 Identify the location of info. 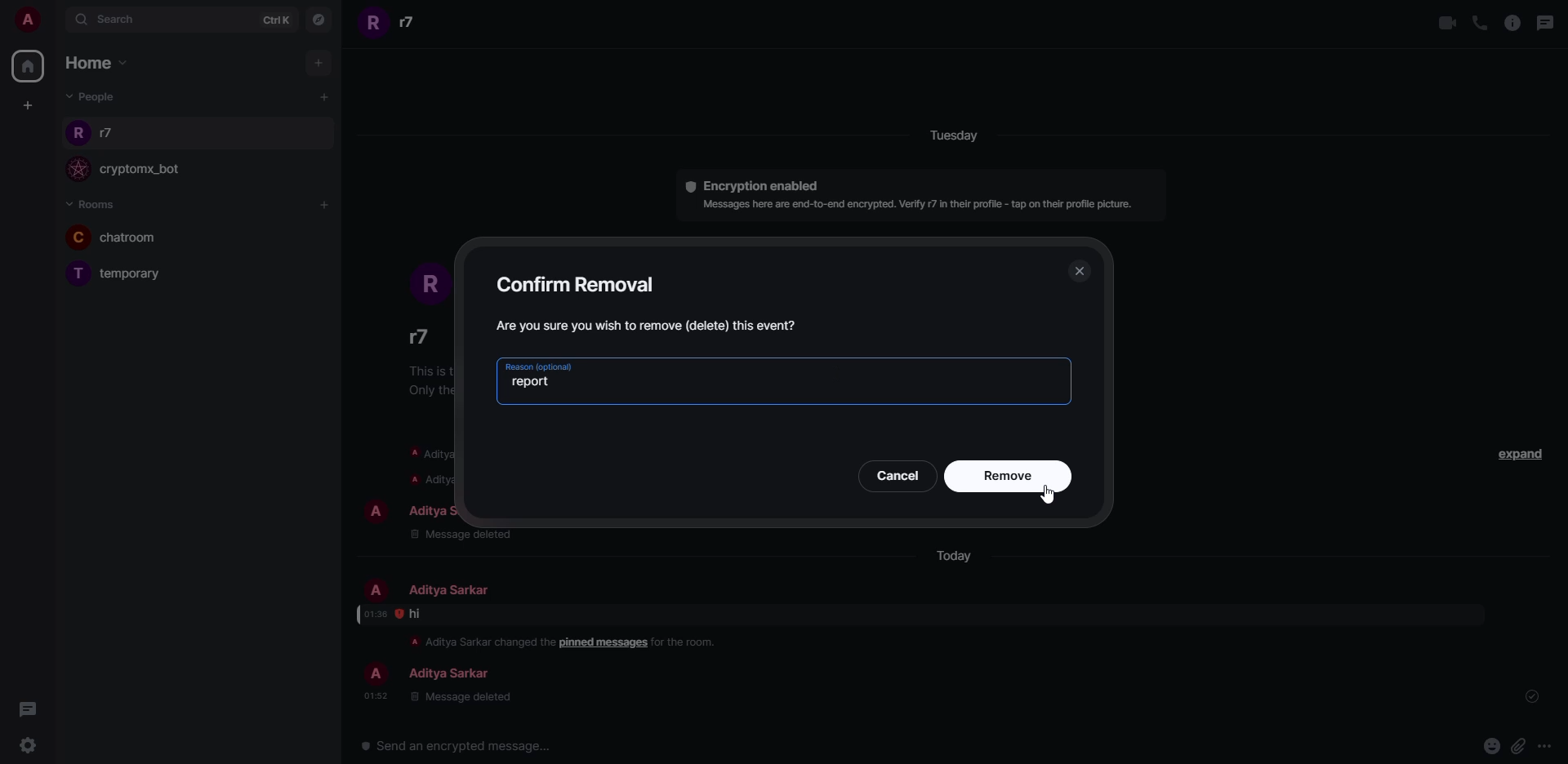
(476, 641).